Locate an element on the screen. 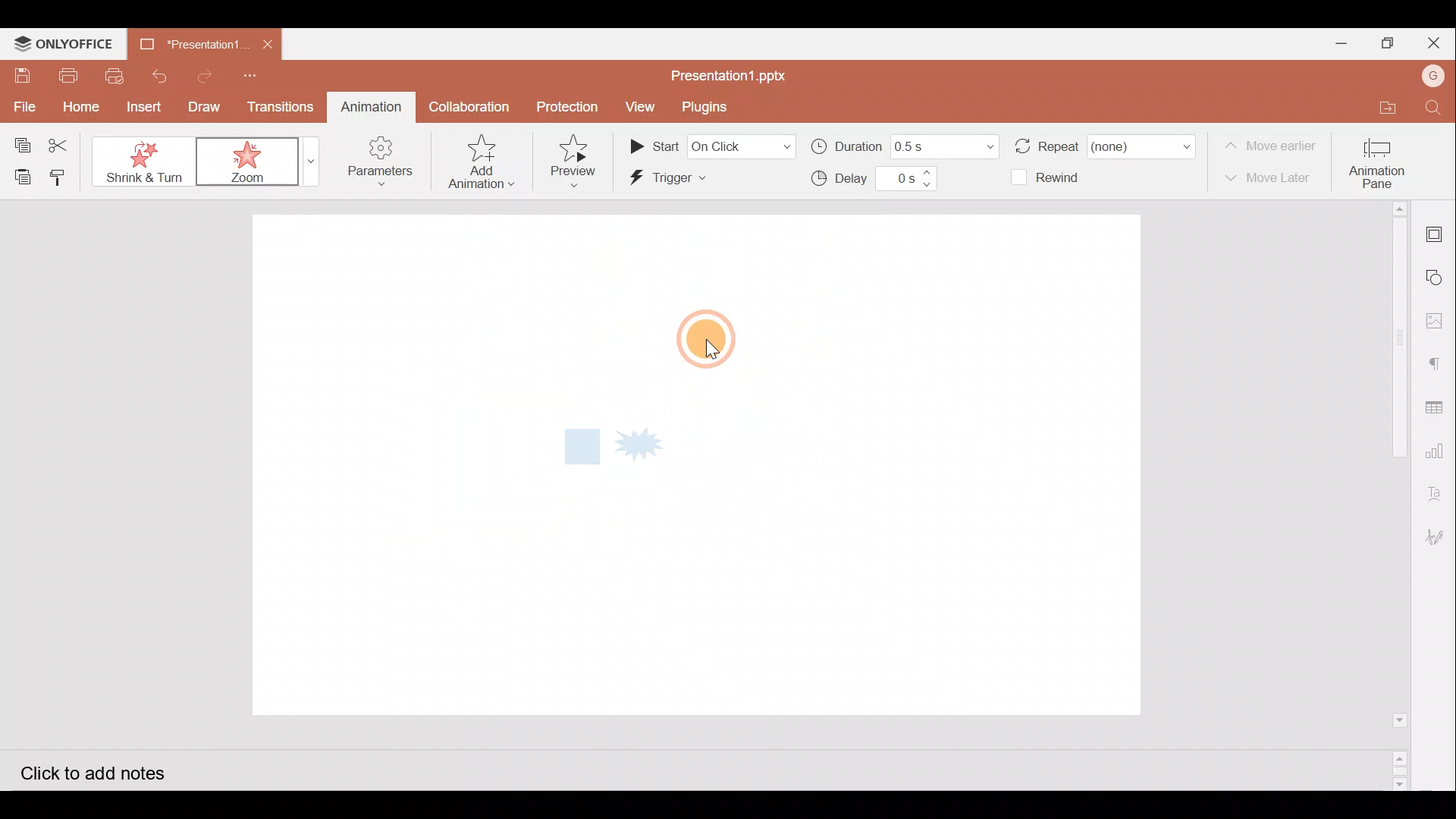 The width and height of the screenshot is (1456, 819). Close is located at coordinates (1432, 42).